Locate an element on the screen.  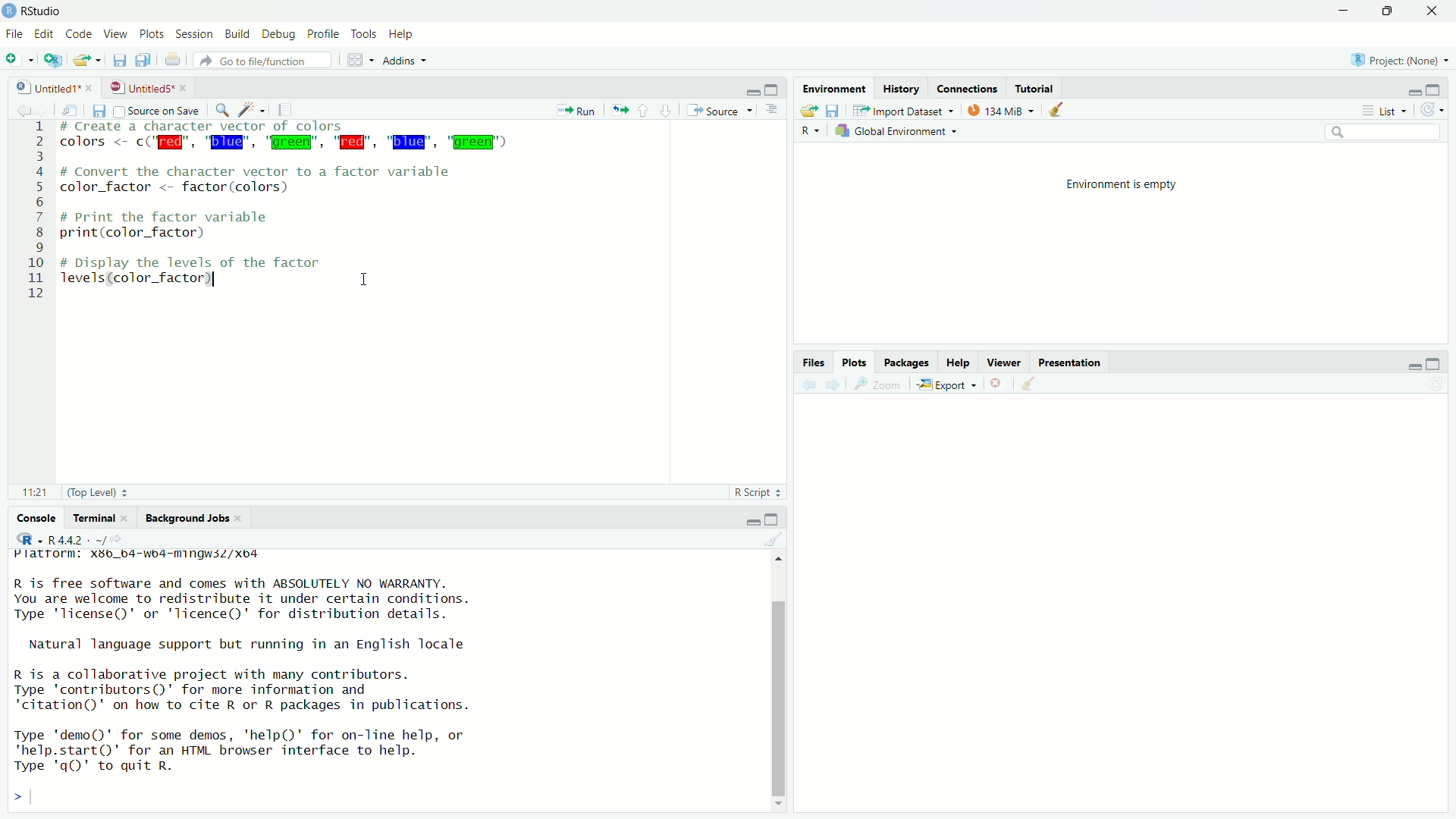
cursor is located at coordinates (367, 279).